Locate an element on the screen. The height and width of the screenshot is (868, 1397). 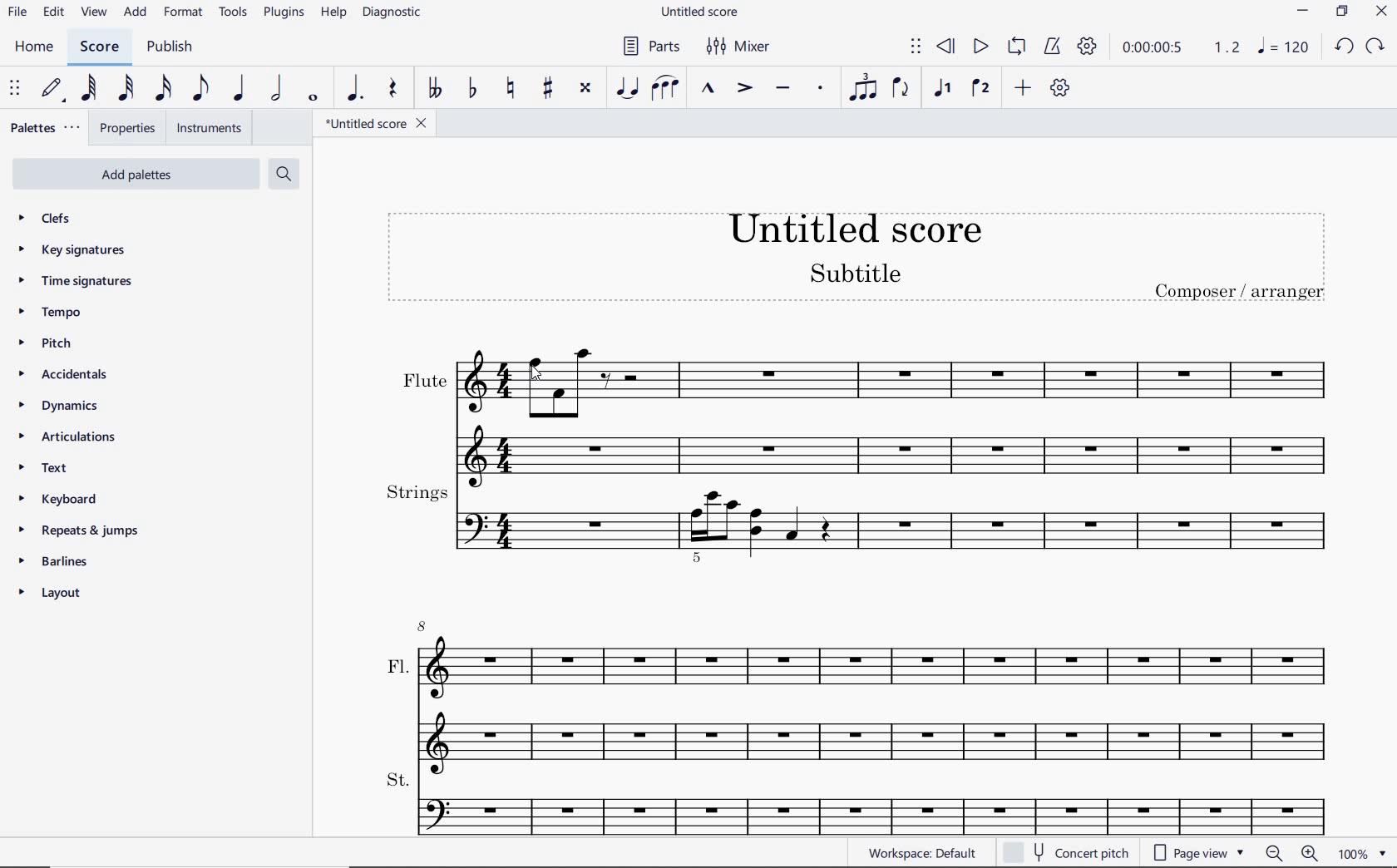
LOOP PLAYBACK is located at coordinates (1016, 47).